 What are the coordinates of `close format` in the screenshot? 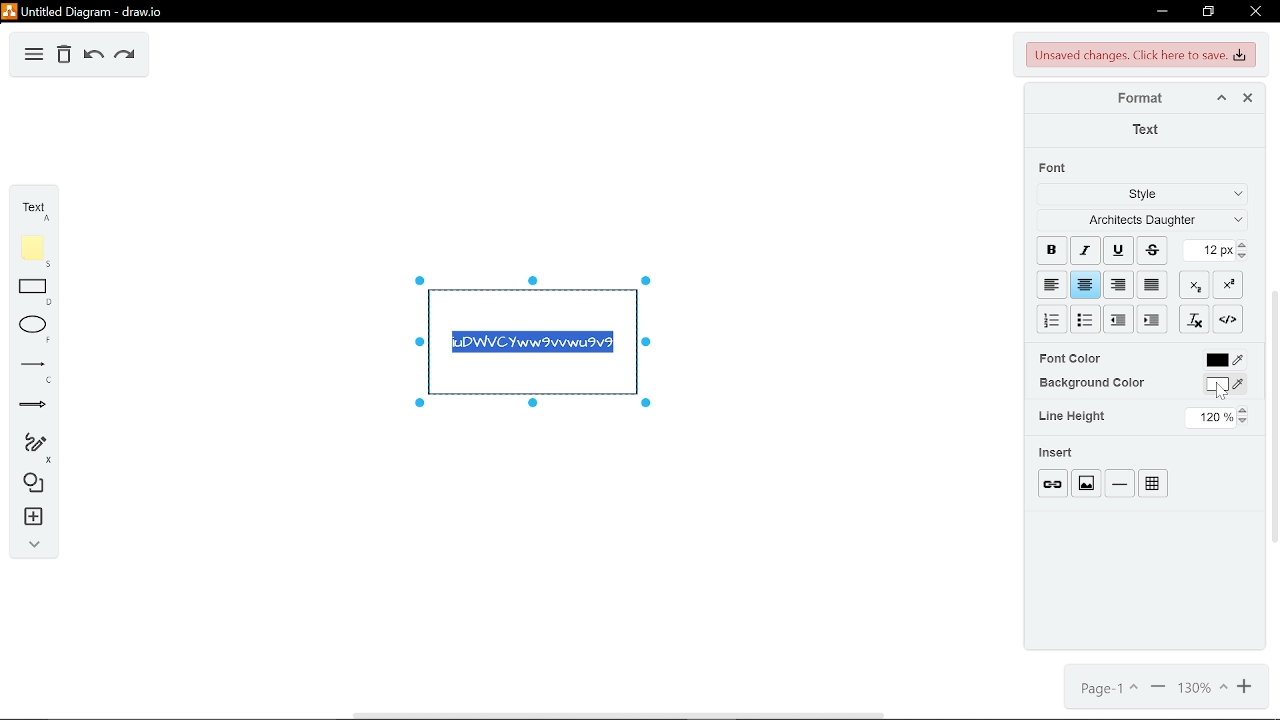 It's located at (1247, 97).